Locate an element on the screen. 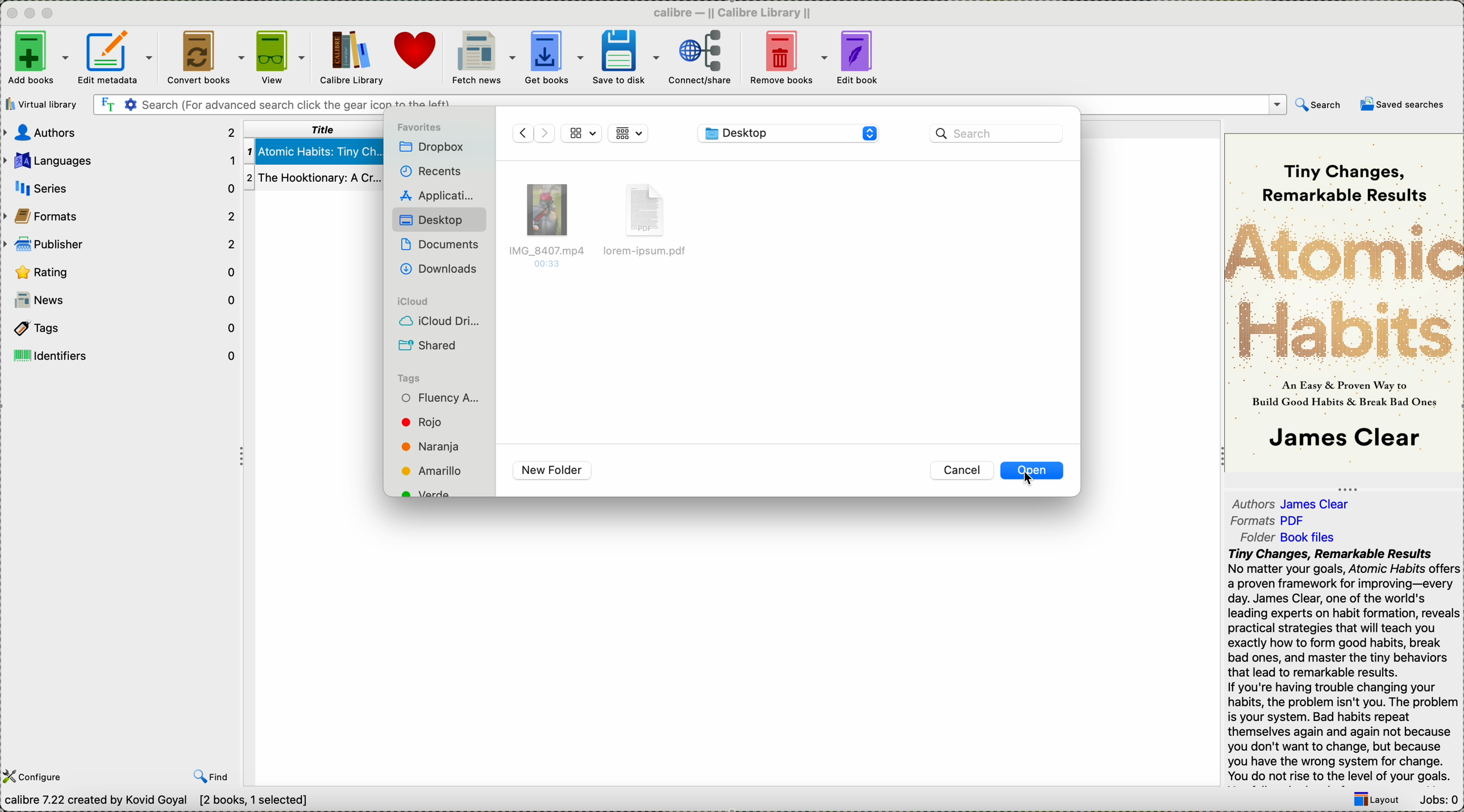 The height and width of the screenshot is (812, 1464). tag is located at coordinates (429, 423).